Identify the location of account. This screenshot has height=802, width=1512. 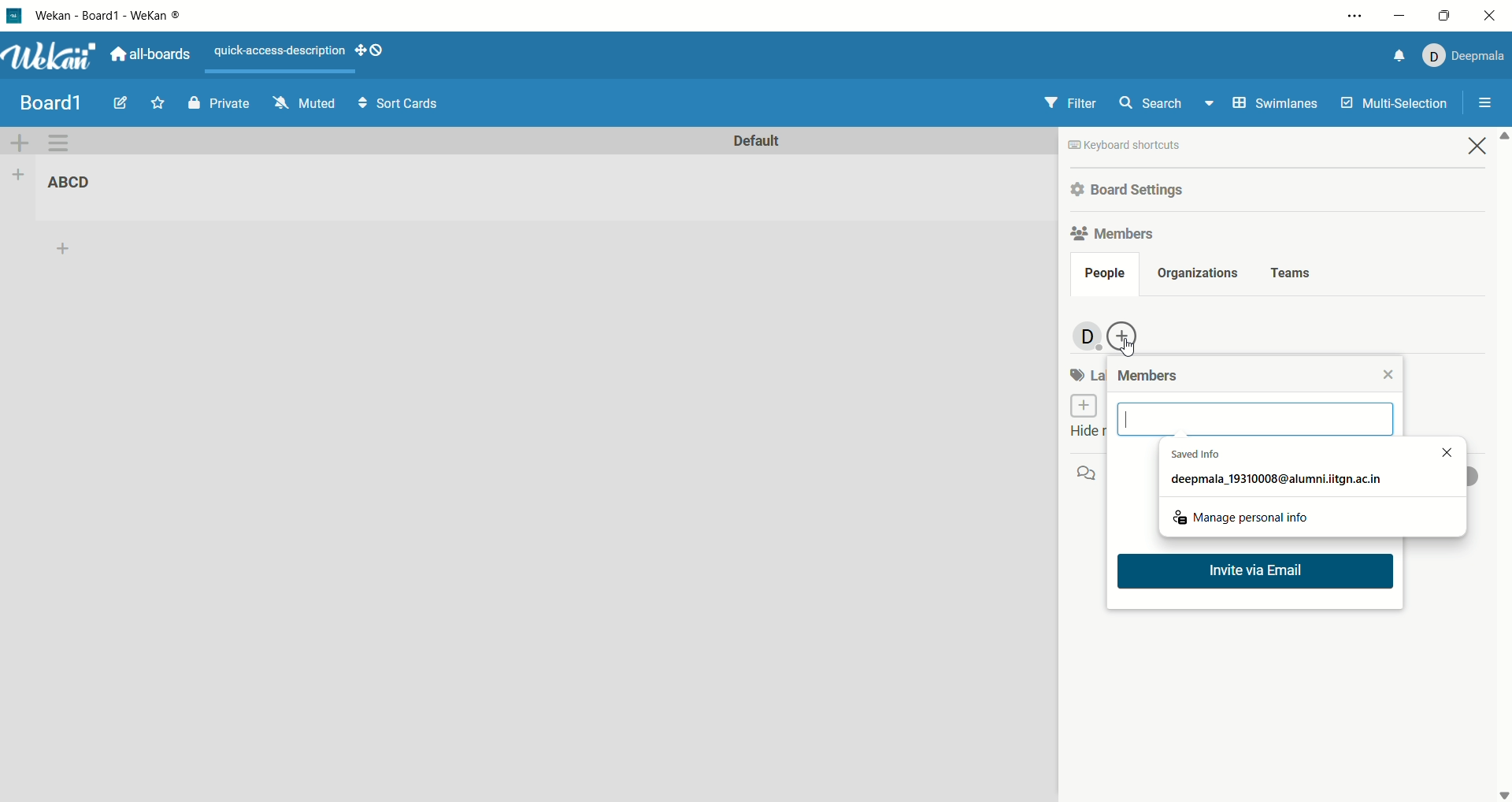
(1465, 56).